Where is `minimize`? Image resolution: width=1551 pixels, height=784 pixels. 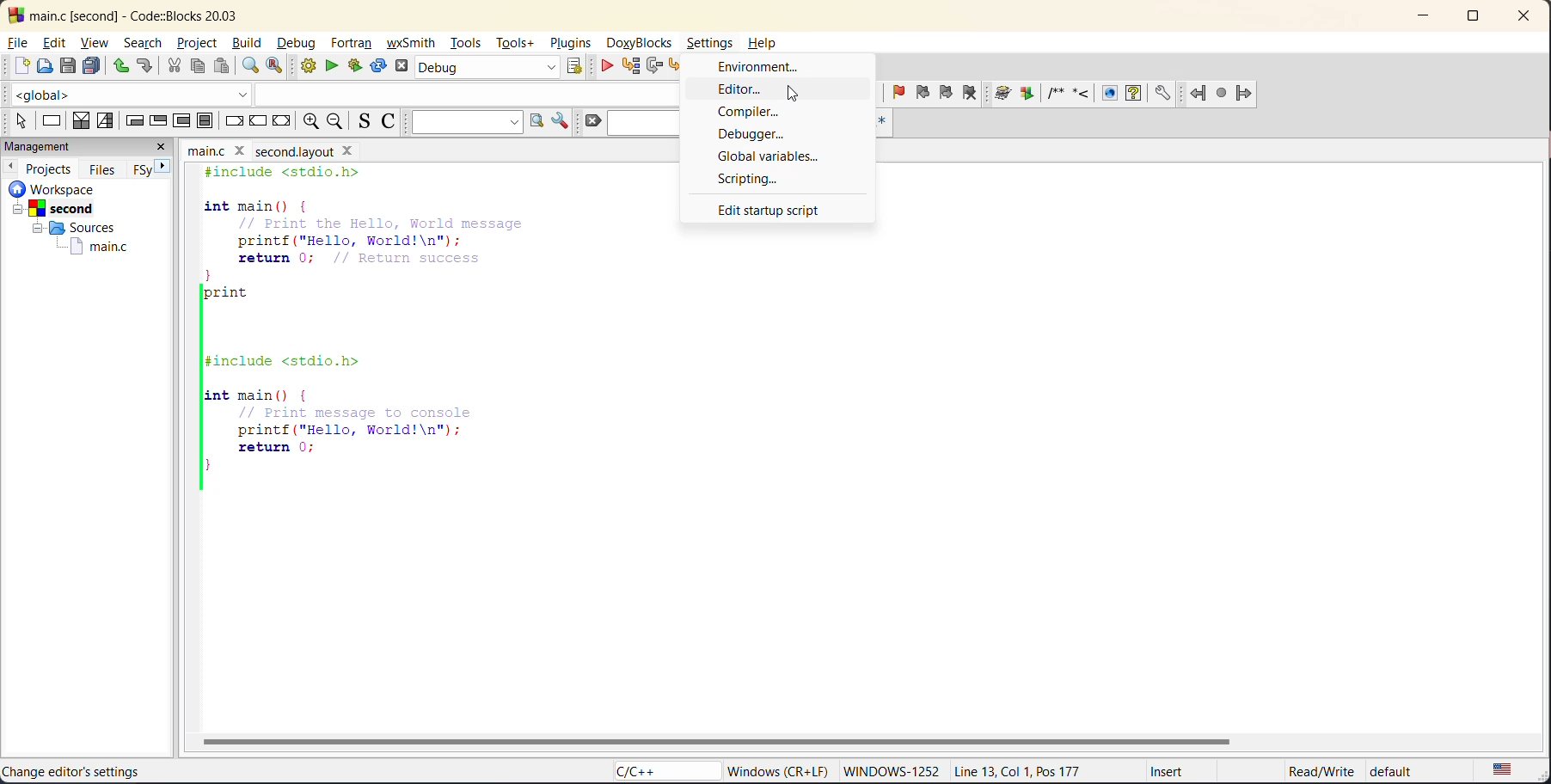 minimize is located at coordinates (1424, 18).